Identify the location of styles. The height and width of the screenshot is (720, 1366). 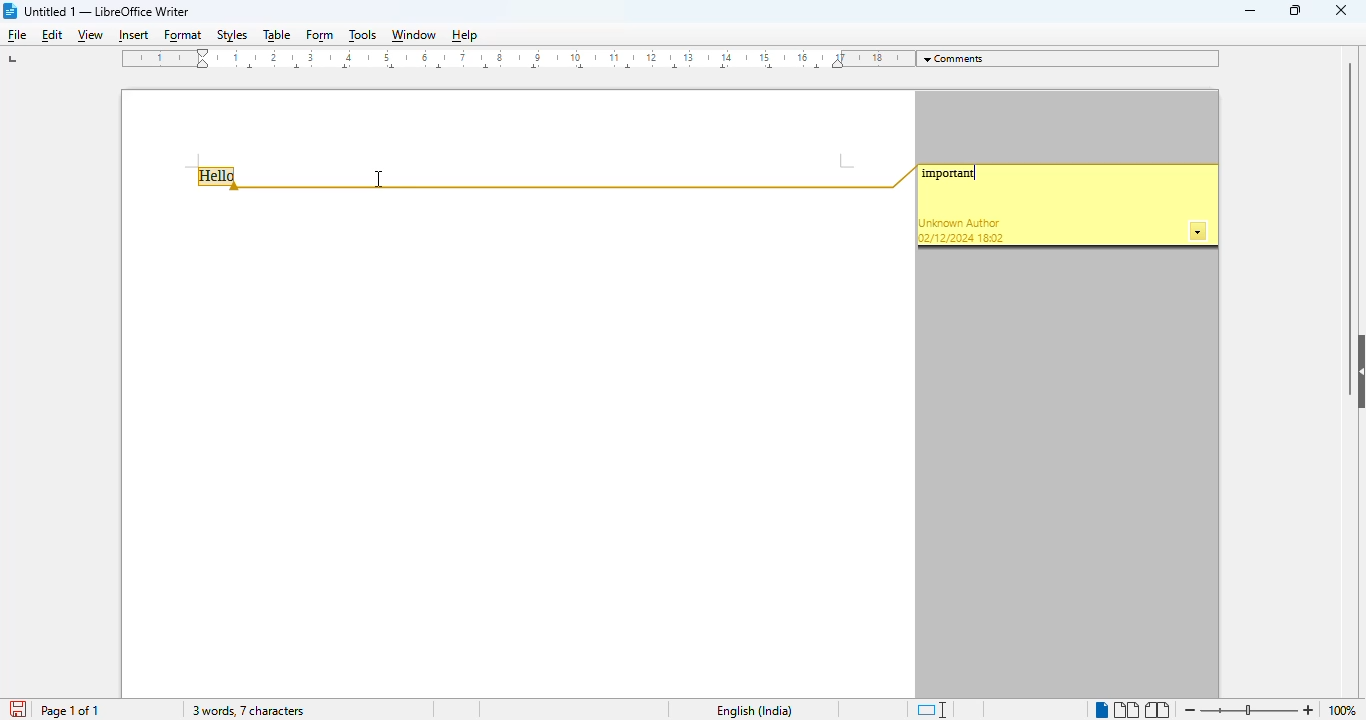
(233, 35).